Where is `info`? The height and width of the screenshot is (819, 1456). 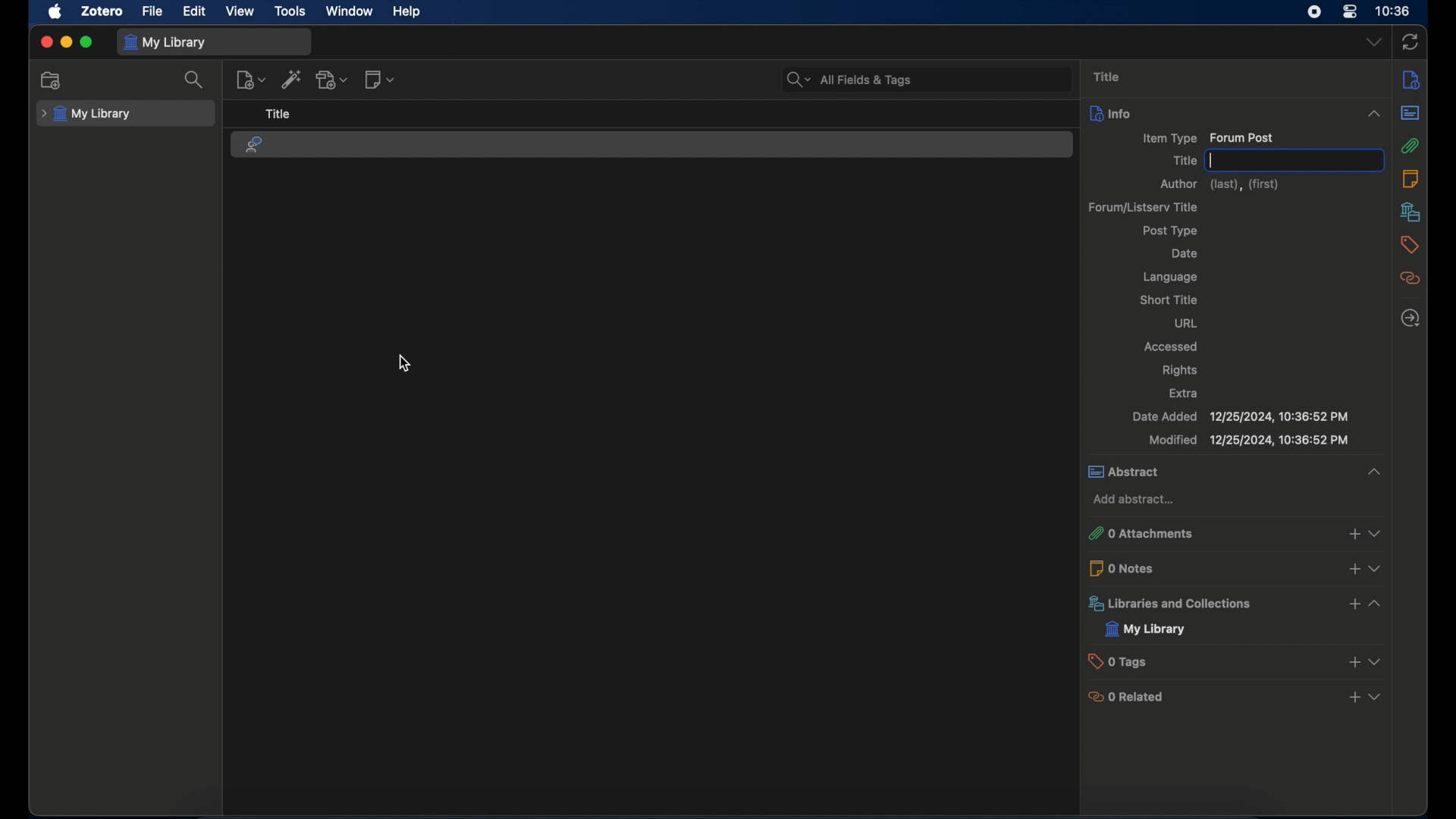 info is located at coordinates (1410, 81).